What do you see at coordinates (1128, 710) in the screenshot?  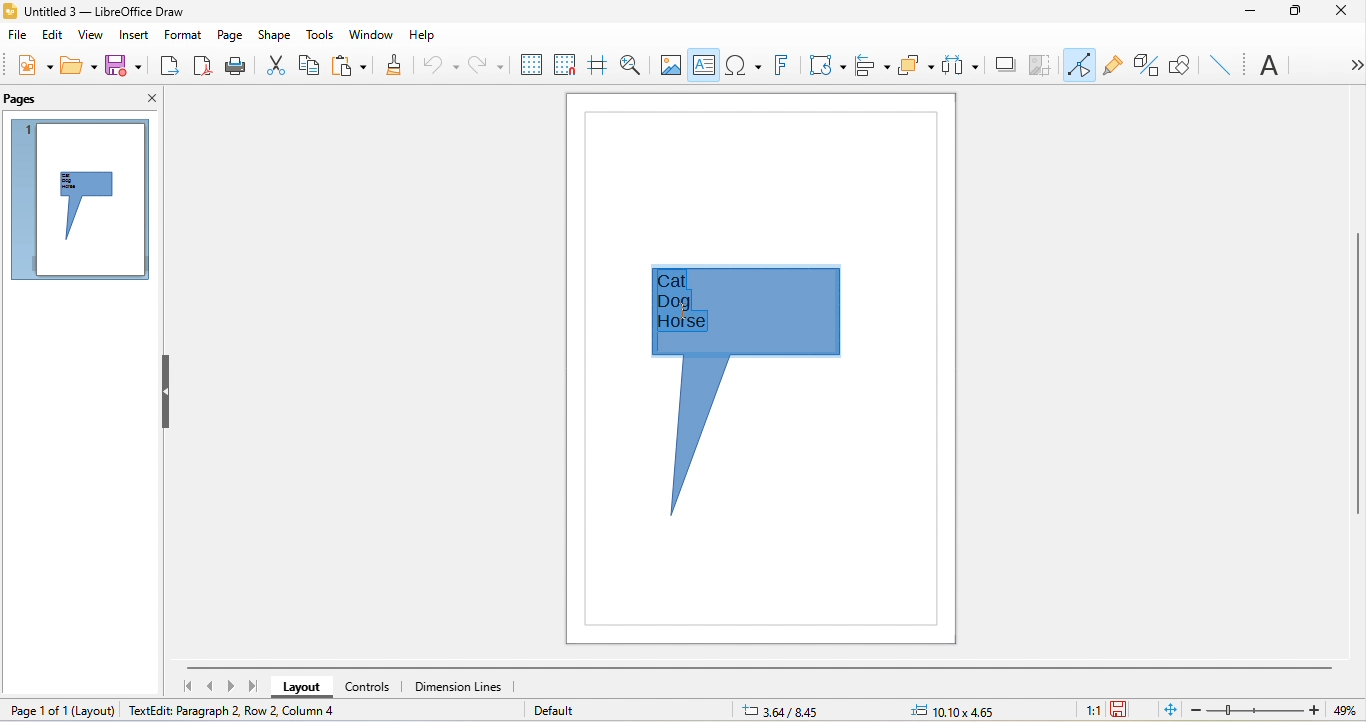 I see `the document has not been modified since the last save` at bounding box center [1128, 710].